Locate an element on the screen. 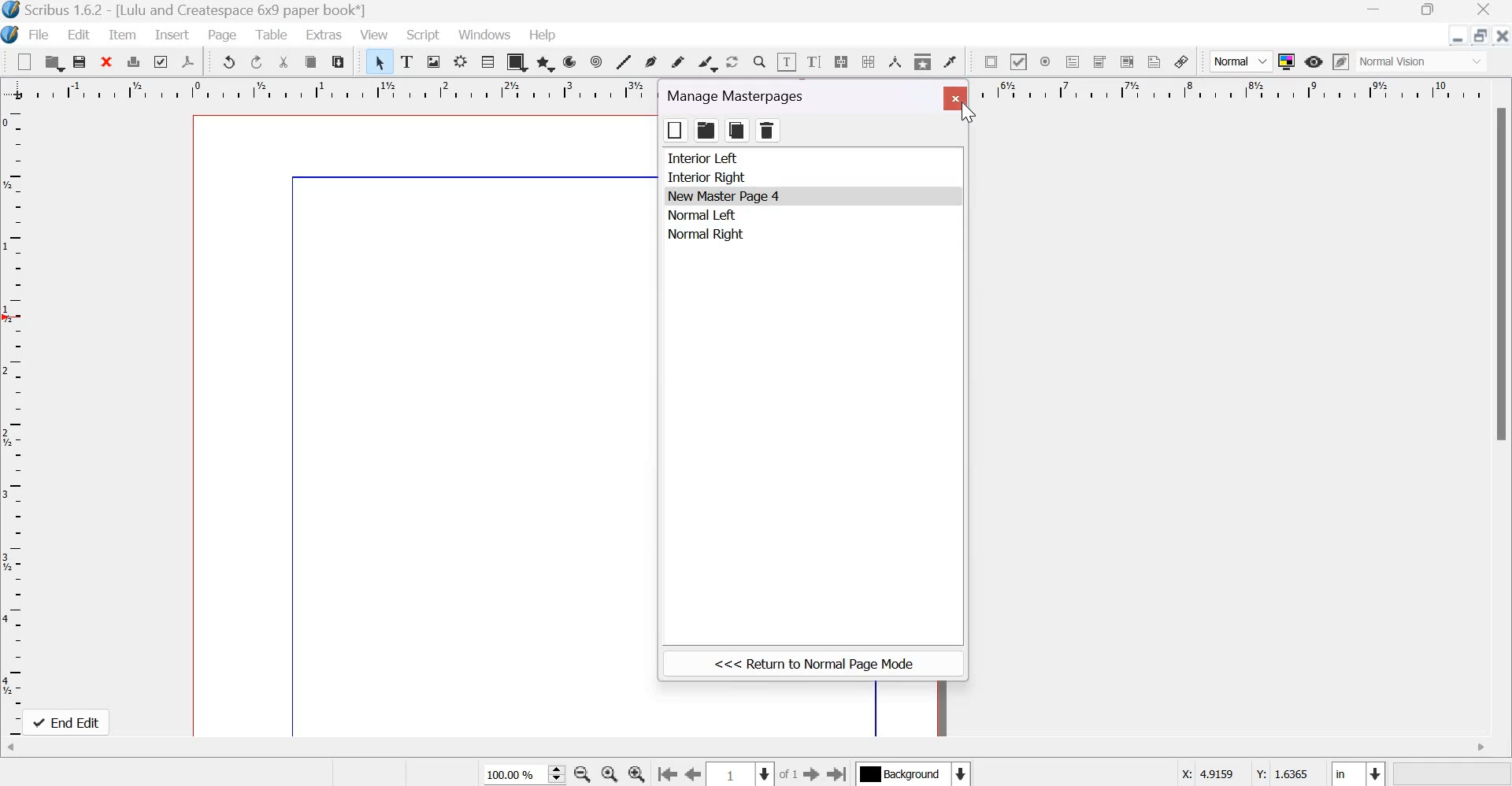 The image size is (1512, 786). Freehand line is located at coordinates (677, 61).